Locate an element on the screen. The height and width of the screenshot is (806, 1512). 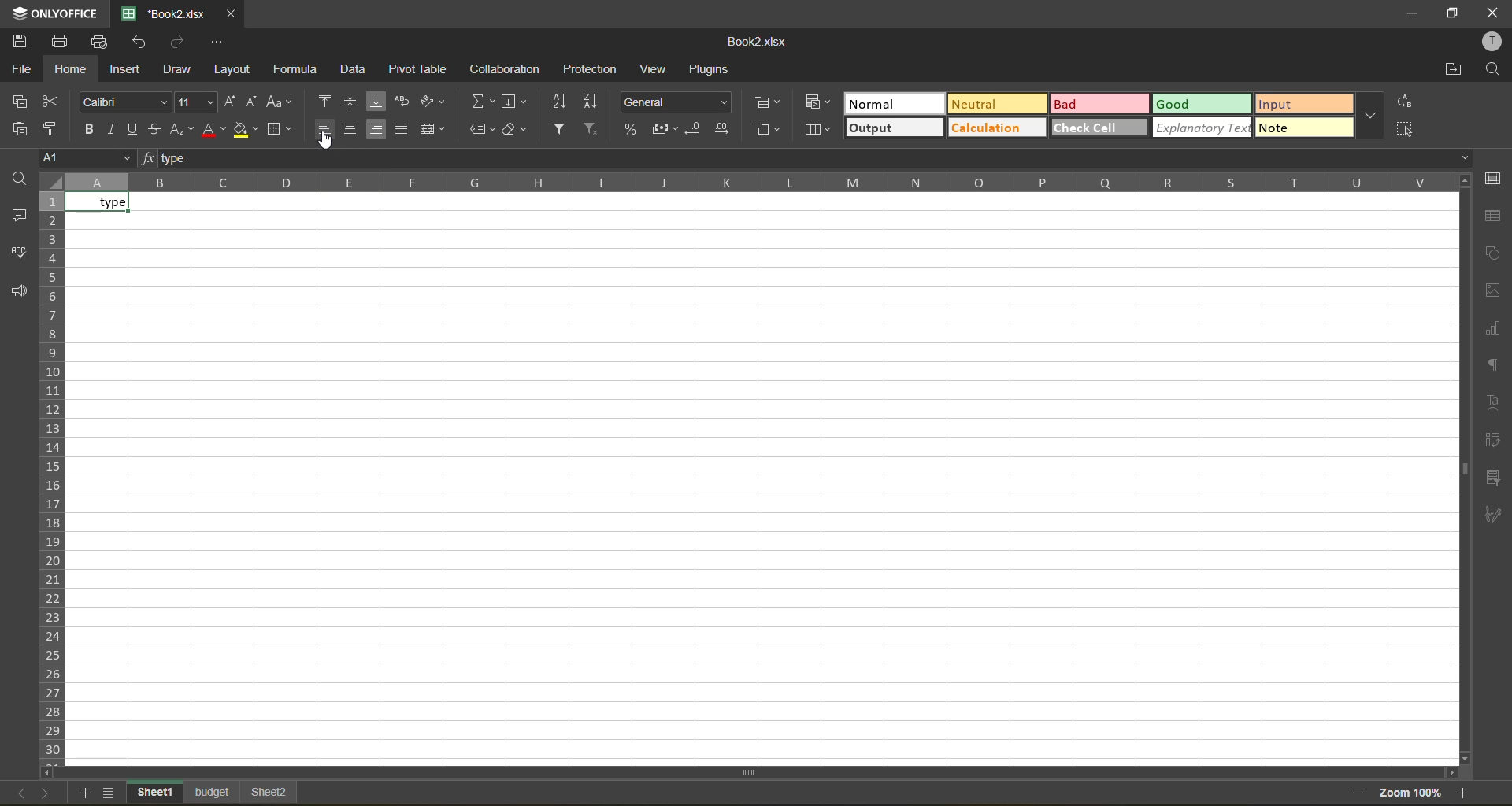
font size is located at coordinates (197, 102).